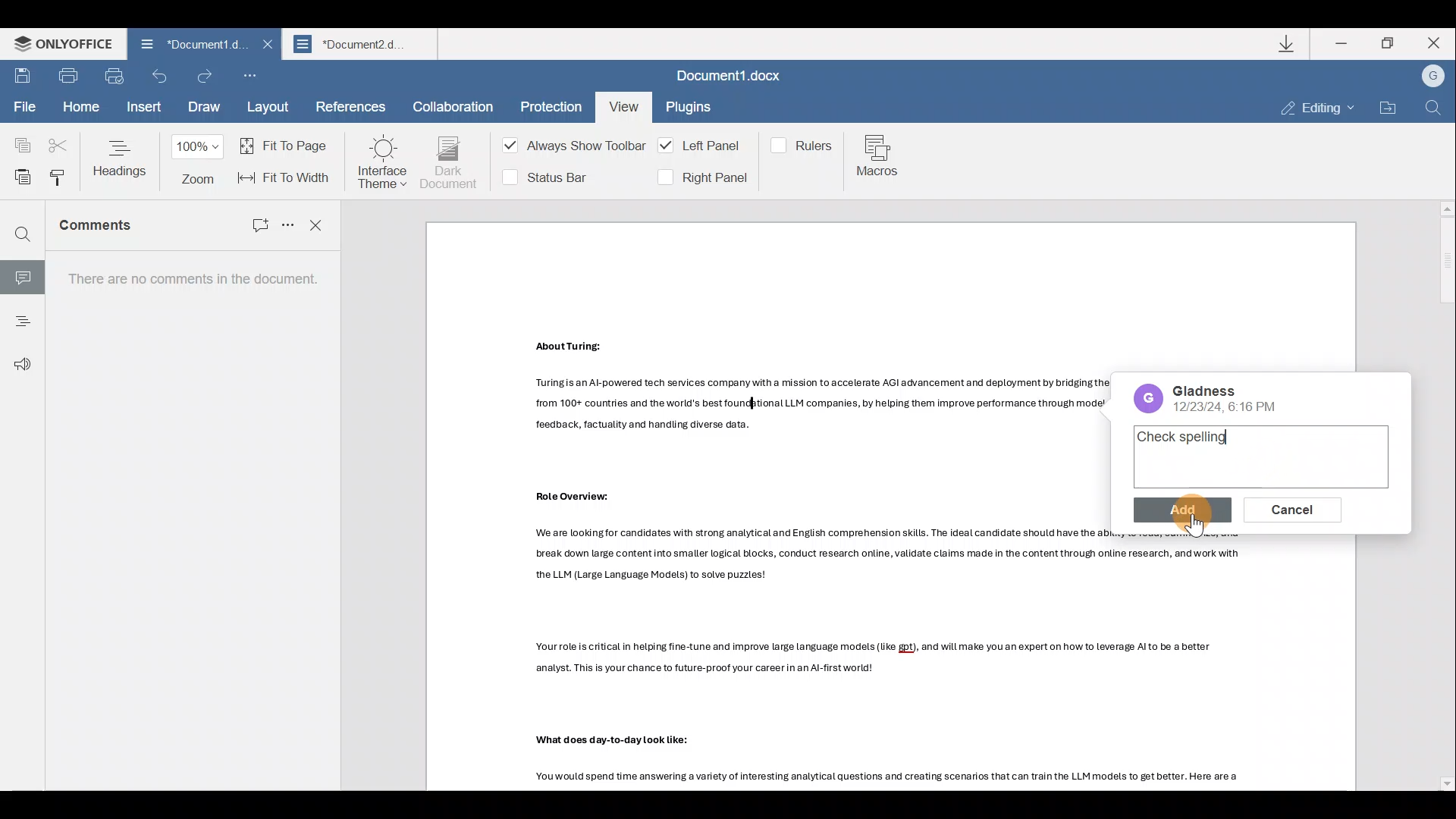  I want to click on ONLYOFFICE, so click(59, 45).